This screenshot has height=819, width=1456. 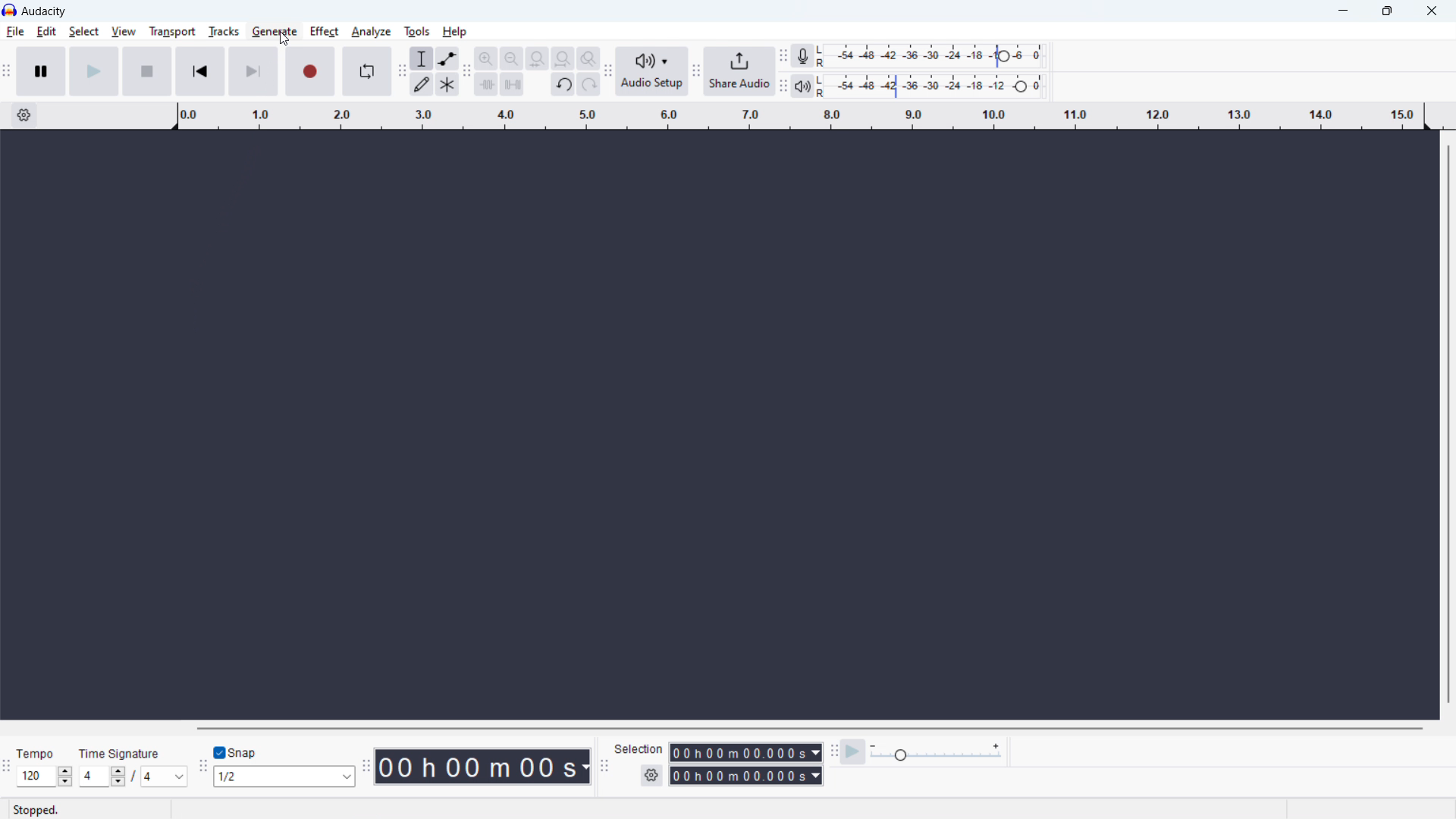 I want to click on timeline settings, so click(x=26, y=116).